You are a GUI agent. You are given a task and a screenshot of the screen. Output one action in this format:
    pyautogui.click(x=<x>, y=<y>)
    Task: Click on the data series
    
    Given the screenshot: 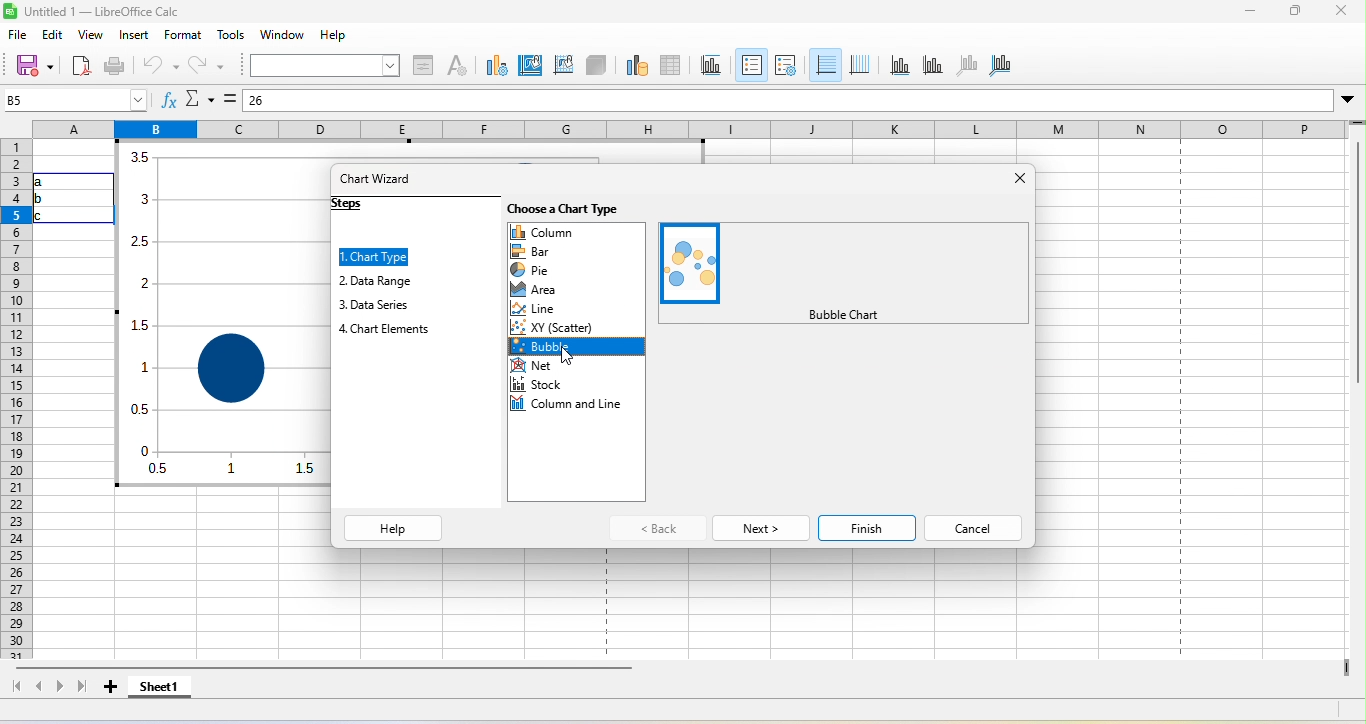 What is the action you would take?
    pyautogui.click(x=390, y=303)
    